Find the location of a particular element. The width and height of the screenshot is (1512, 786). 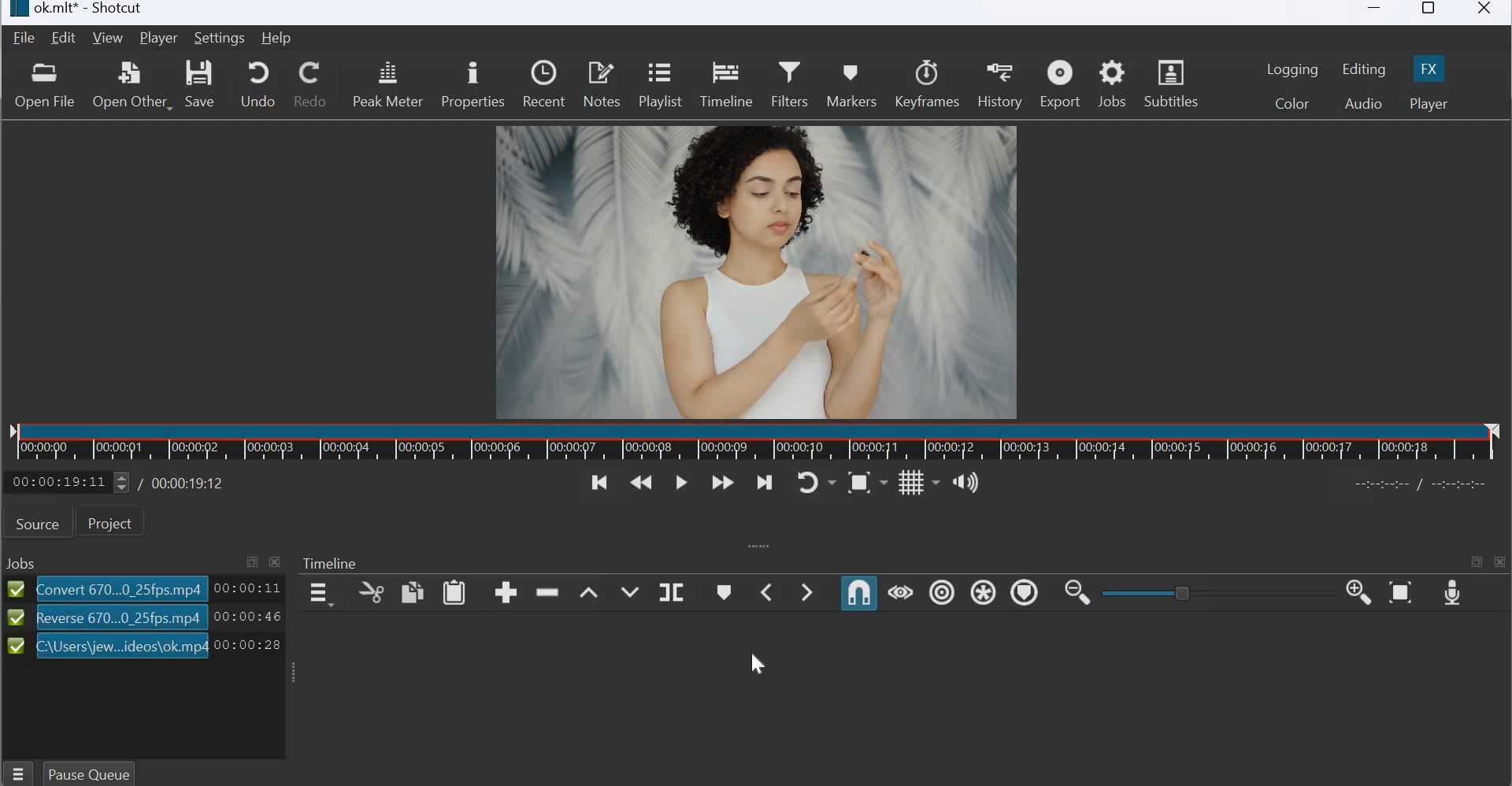

Maximize is located at coordinates (1429, 11).